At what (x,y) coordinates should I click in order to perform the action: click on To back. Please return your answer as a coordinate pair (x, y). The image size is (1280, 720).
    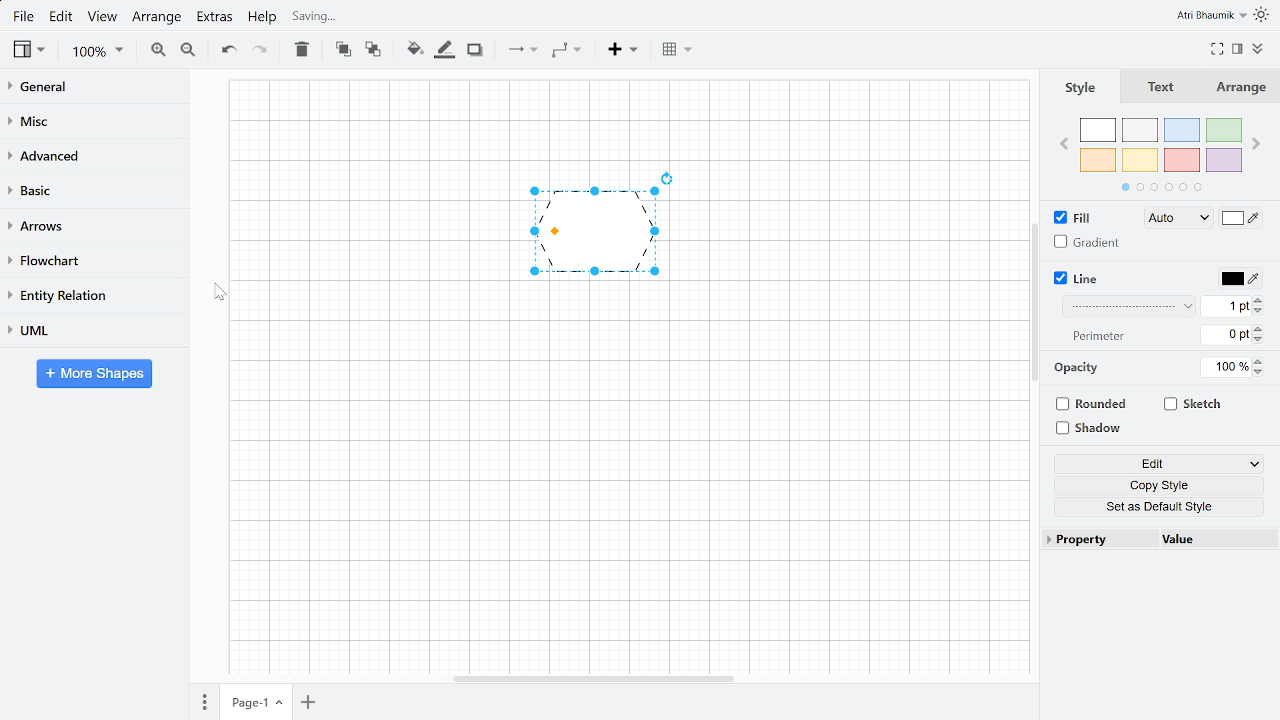
    Looking at the image, I should click on (374, 51).